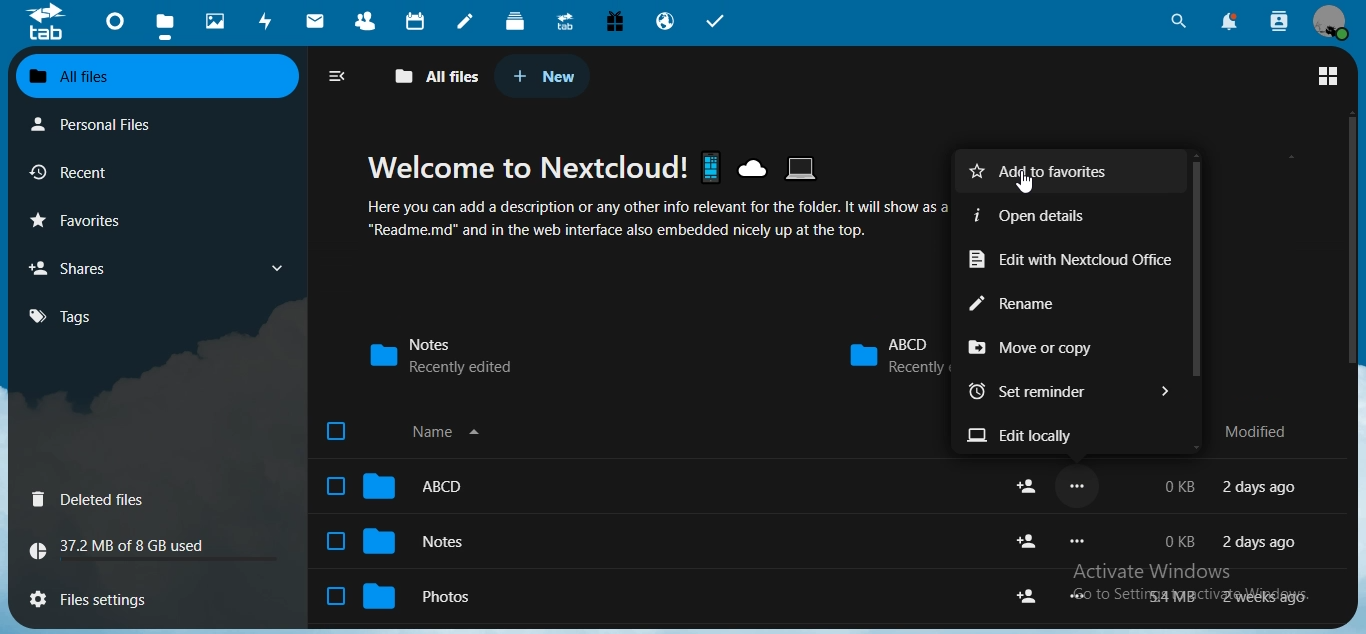 The width and height of the screenshot is (1366, 634). Describe the element at coordinates (455, 355) in the screenshot. I see `notes` at that location.